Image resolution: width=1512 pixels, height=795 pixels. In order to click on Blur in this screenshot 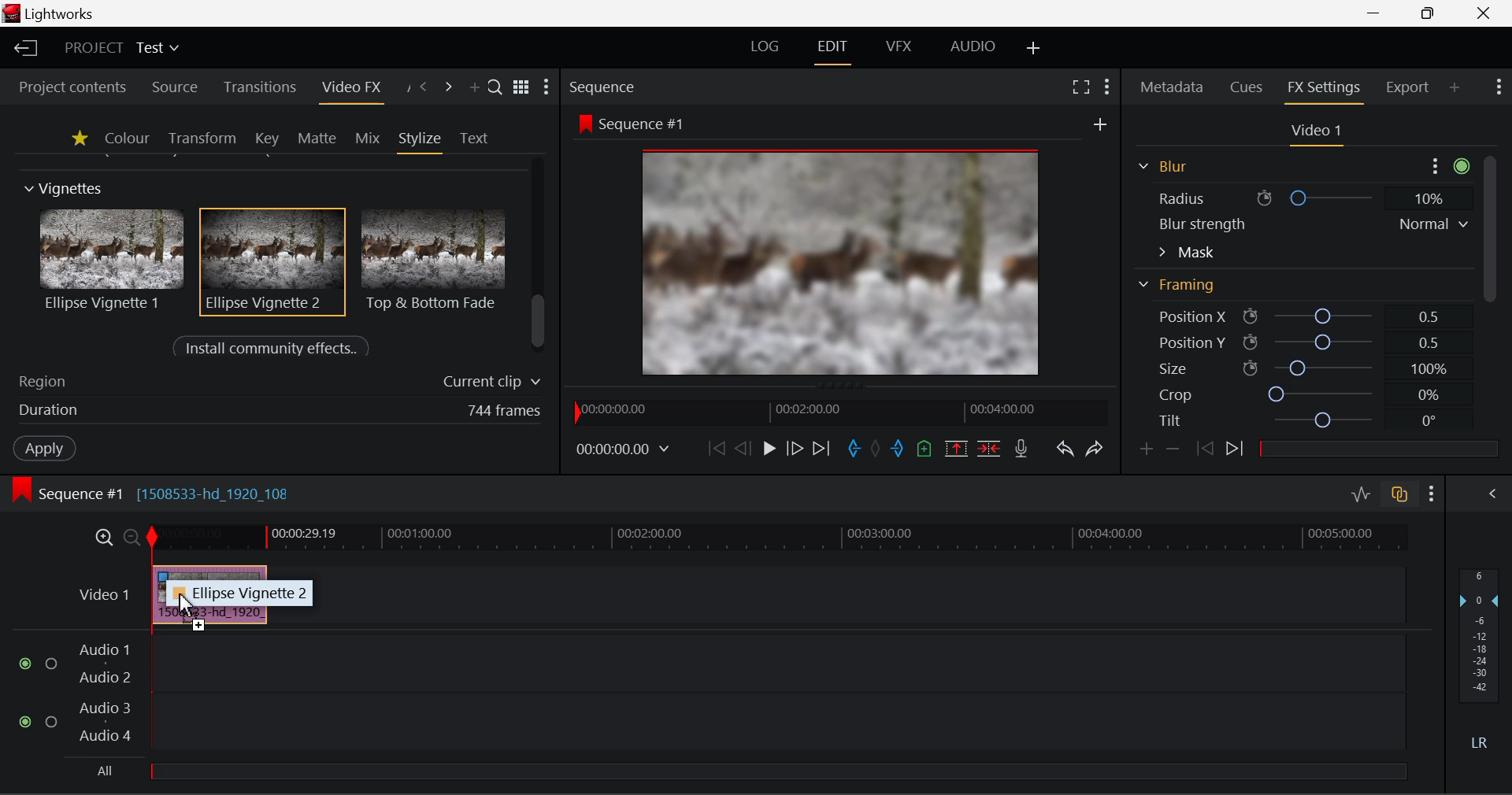, I will do `click(1161, 165)`.